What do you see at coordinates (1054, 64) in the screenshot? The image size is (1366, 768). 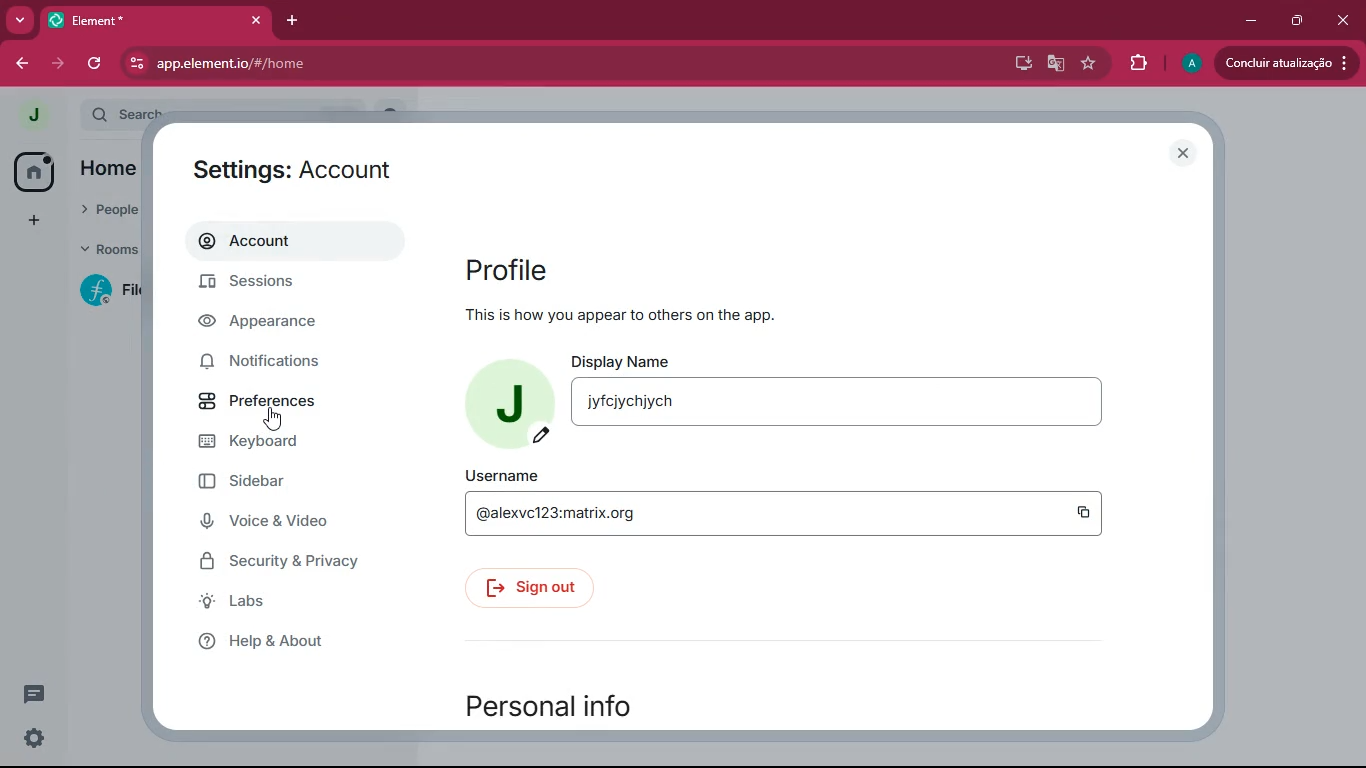 I see `google translate` at bounding box center [1054, 64].